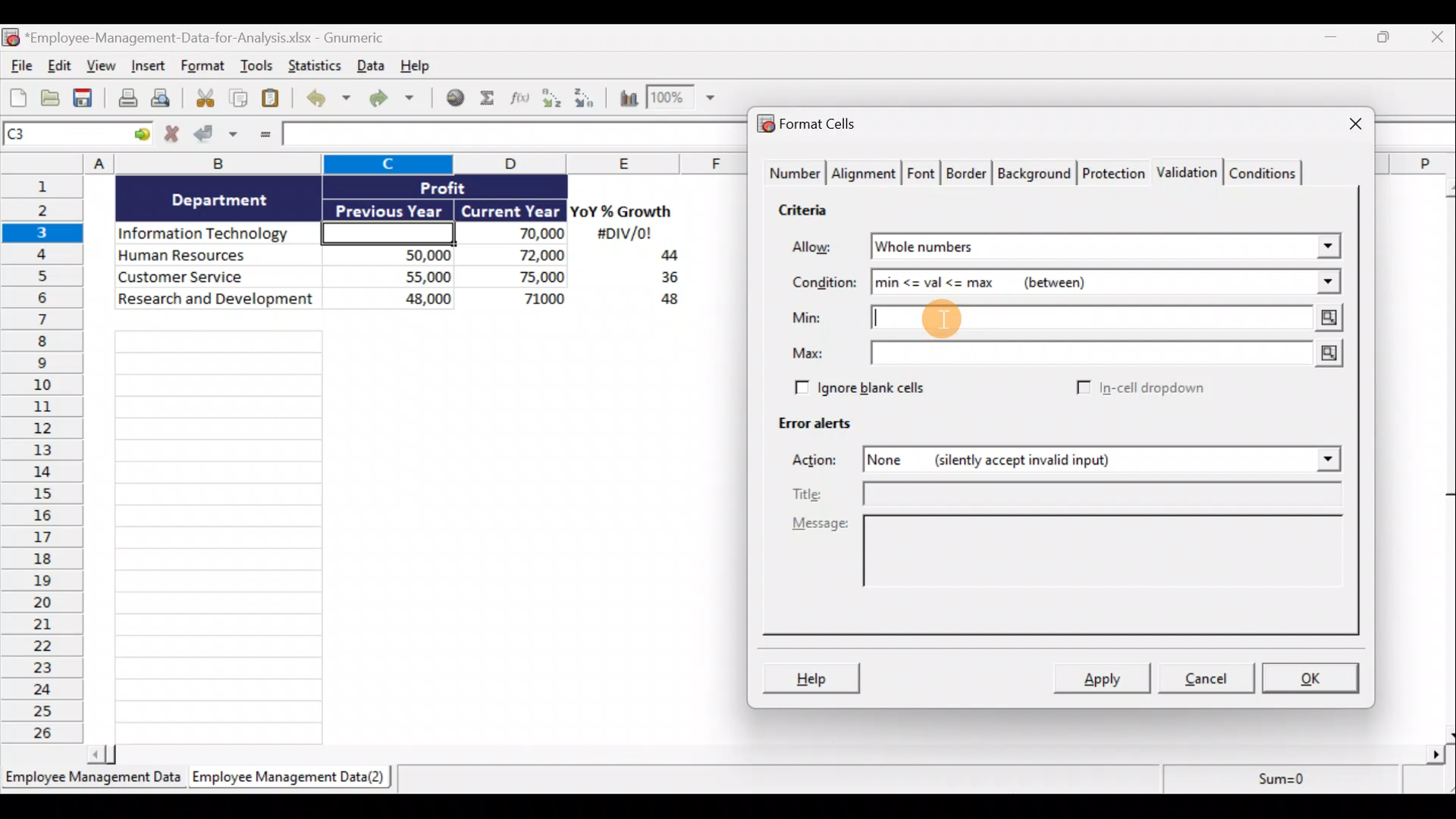  What do you see at coordinates (771, 752) in the screenshot?
I see `Scroll bar` at bounding box center [771, 752].